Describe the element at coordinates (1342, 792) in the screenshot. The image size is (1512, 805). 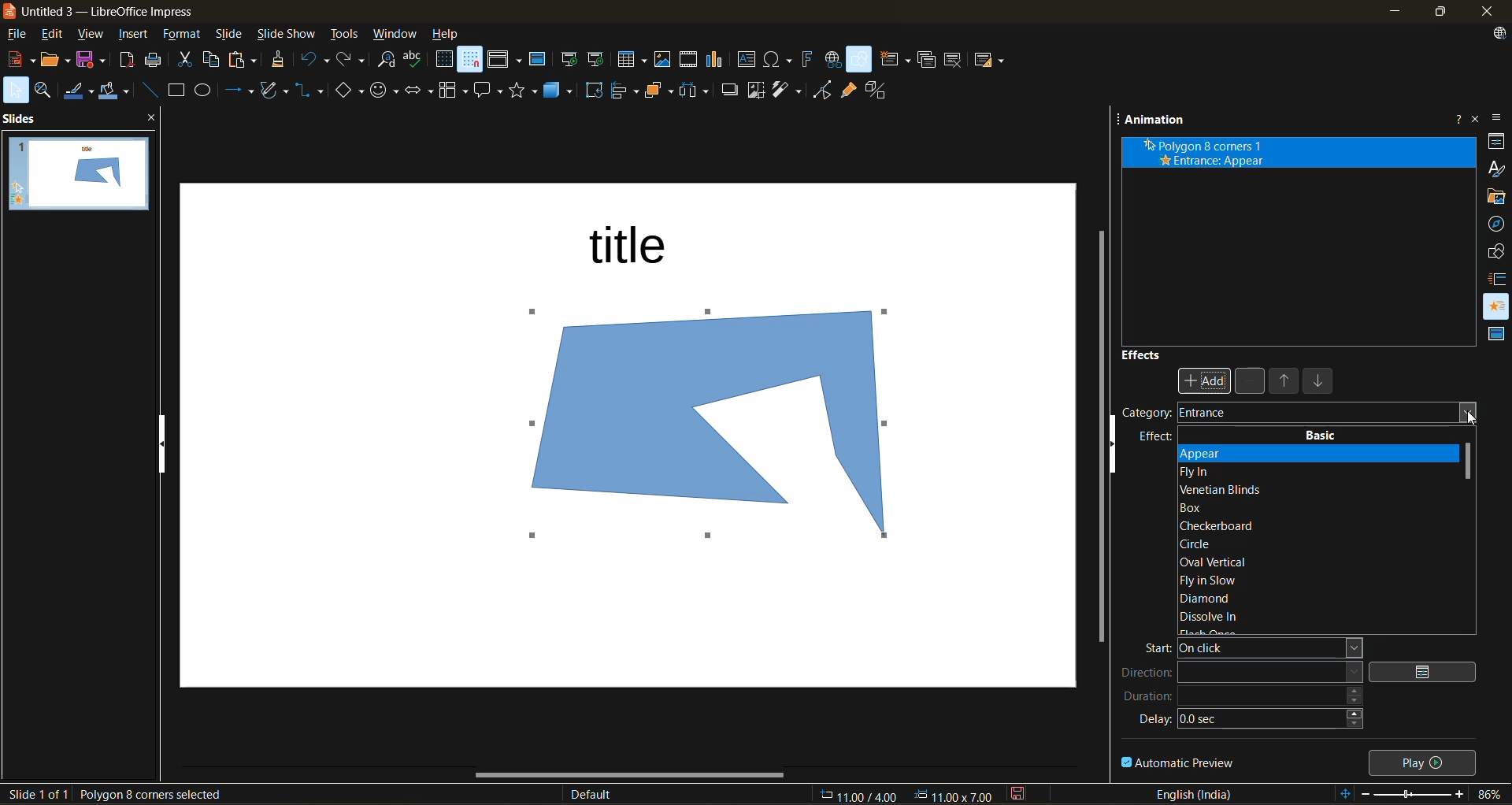
I see `fit to slide` at that location.